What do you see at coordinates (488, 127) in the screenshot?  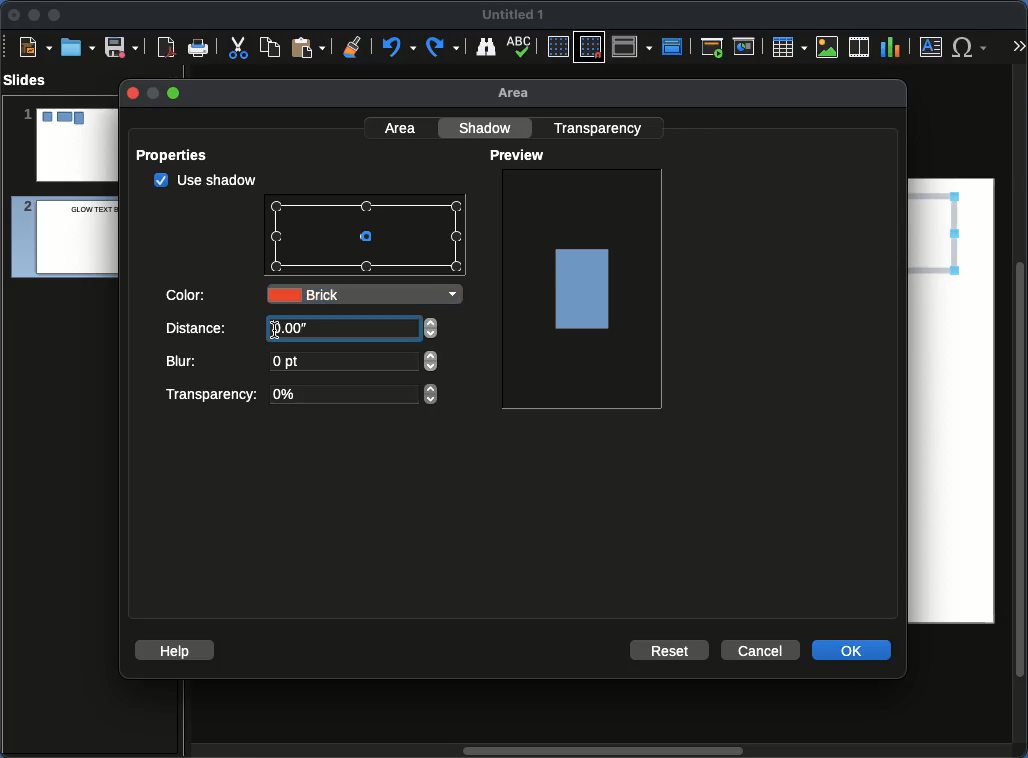 I see `Shadow` at bounding box center [488, 127].